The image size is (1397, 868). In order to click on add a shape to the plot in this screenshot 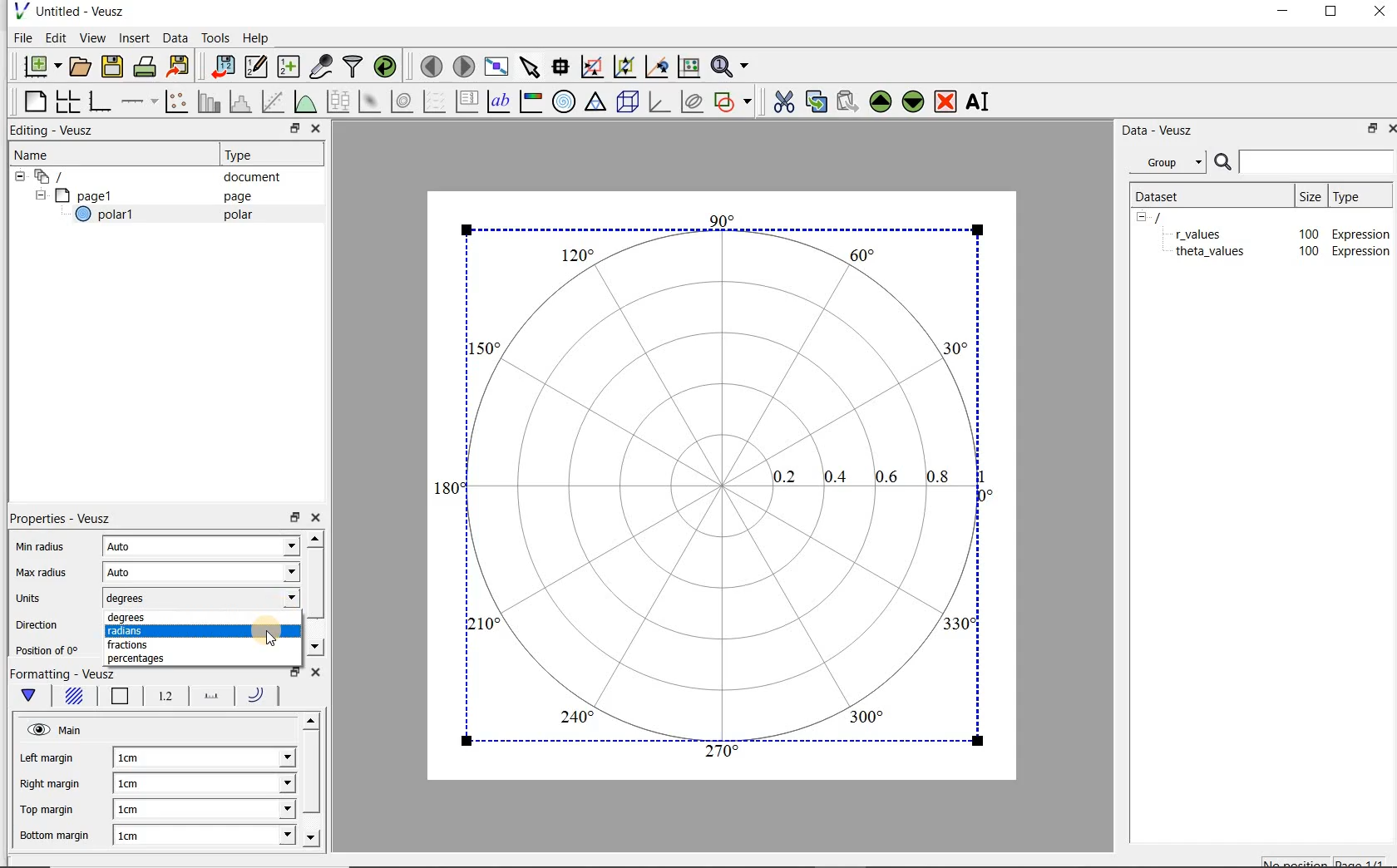, I will do `click(734, 100)`.